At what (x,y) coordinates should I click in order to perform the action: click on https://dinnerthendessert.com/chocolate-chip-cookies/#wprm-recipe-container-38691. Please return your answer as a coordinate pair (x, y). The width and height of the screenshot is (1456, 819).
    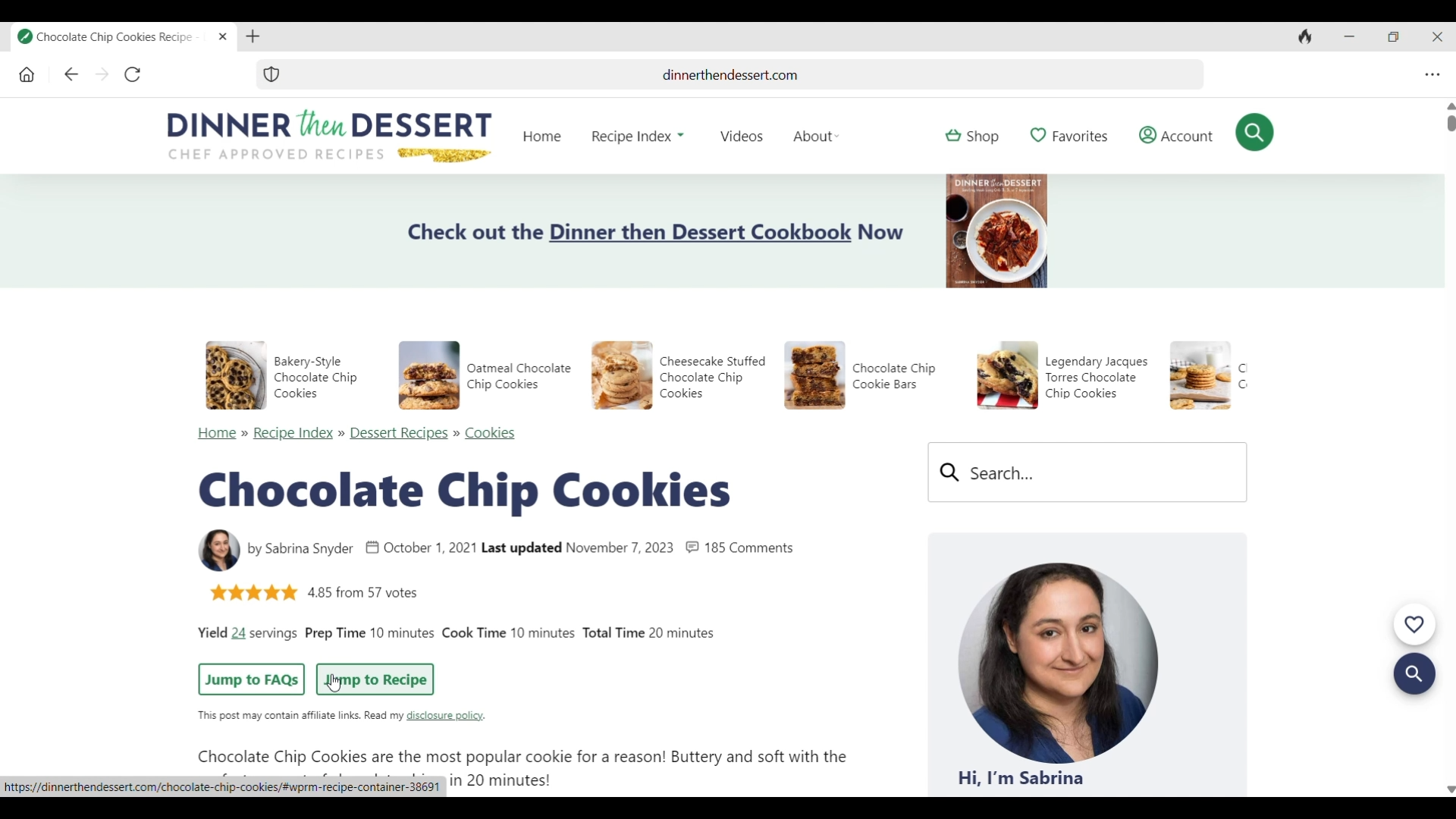
    Looking at the image, I should click on (222, 786).